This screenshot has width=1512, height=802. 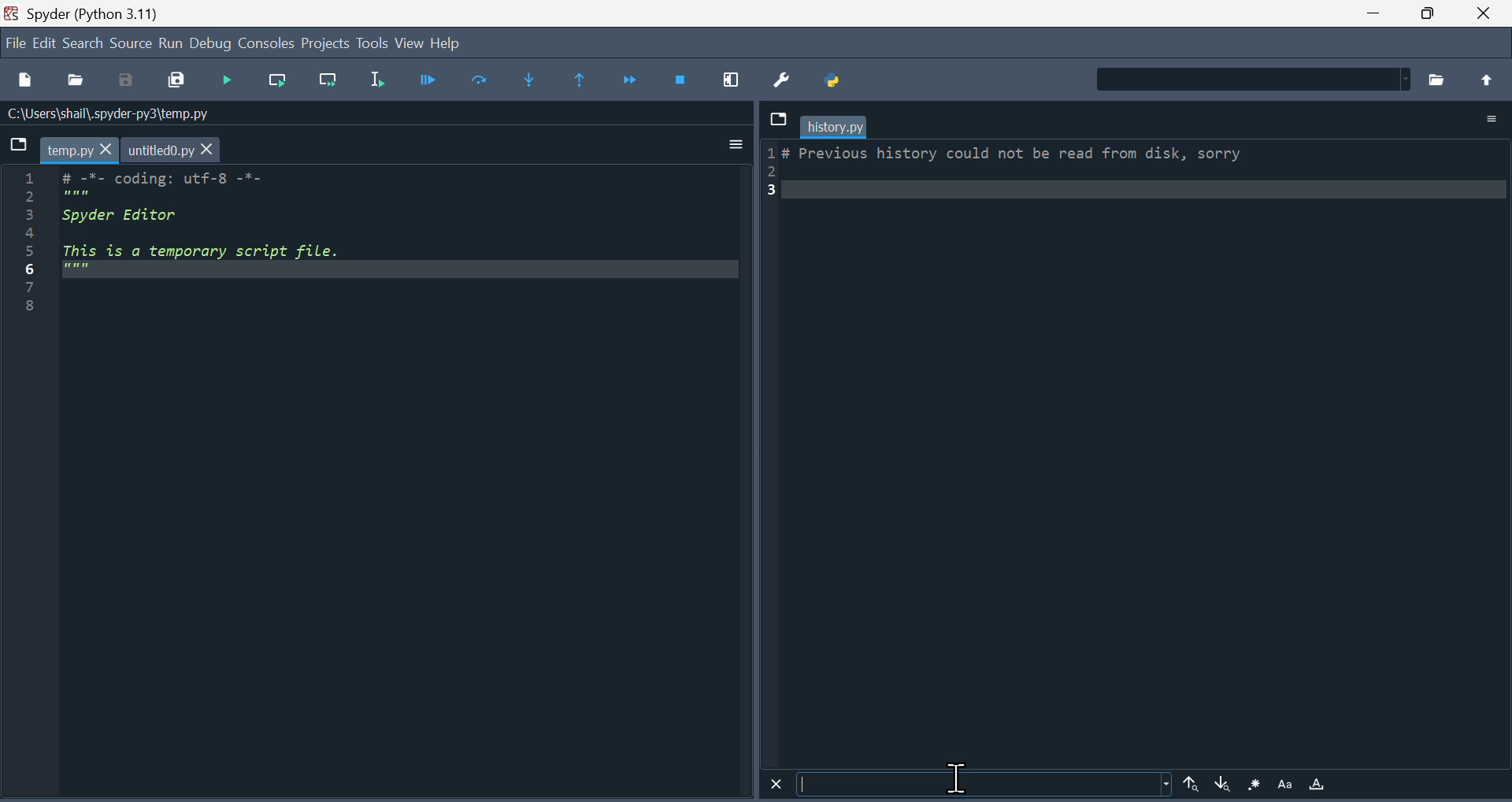 What do you see at coordinates (728, 146) in the screenshot?
I see `` at bounding box center [728, 146].